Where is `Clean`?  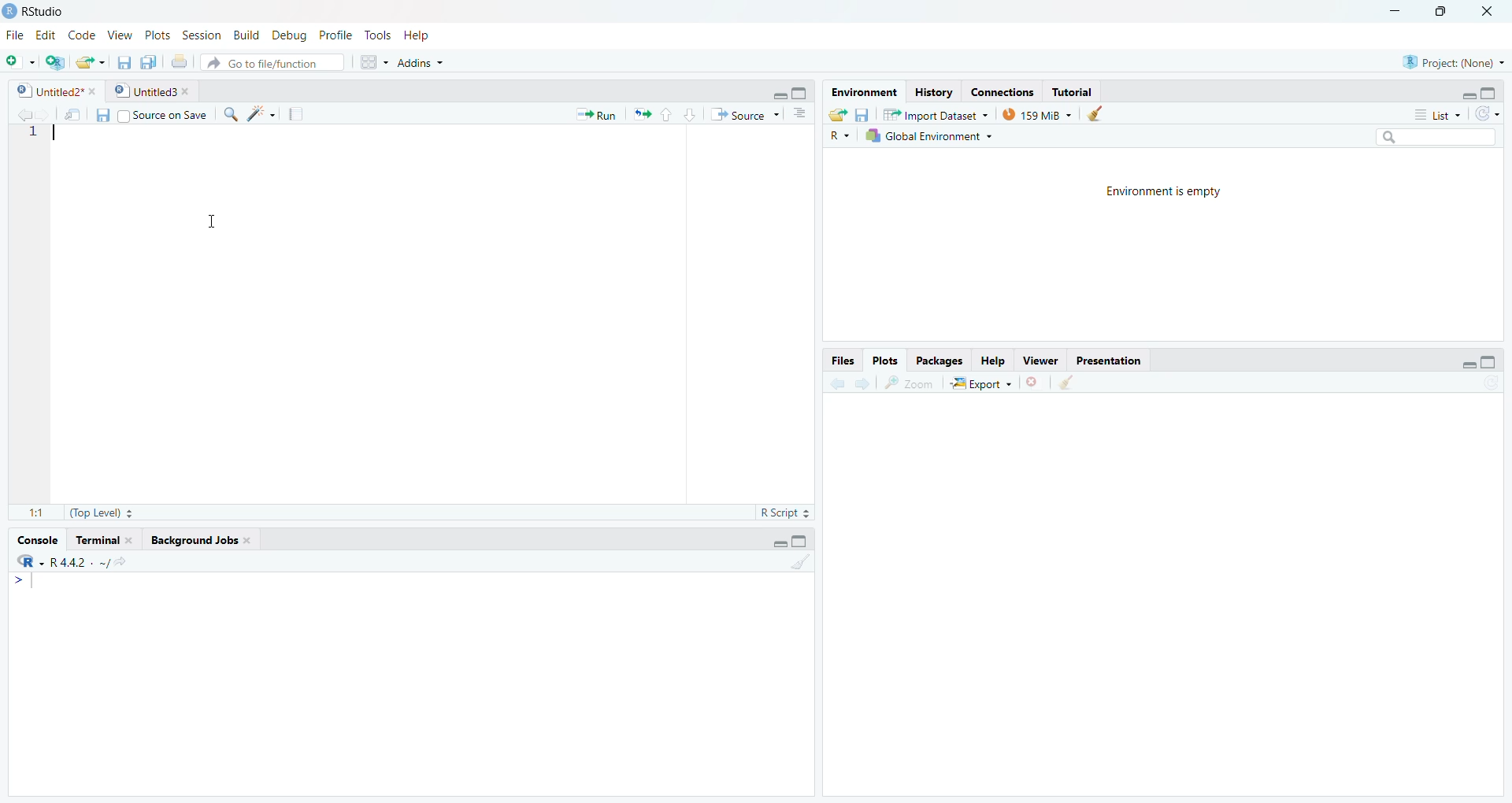
Clean is located at coordinates (801, 562).